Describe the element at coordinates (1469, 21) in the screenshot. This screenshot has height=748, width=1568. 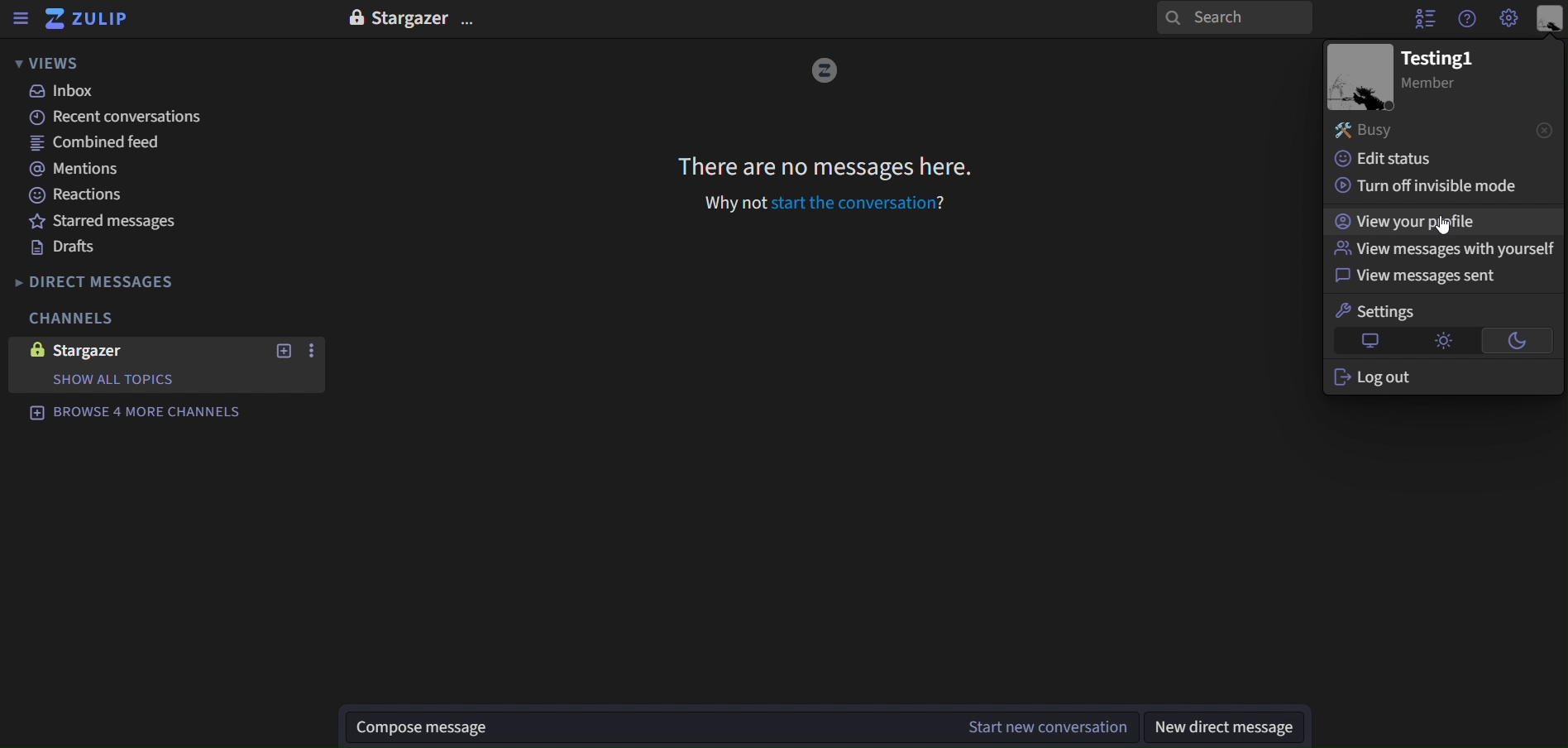
I see `help` at that location.